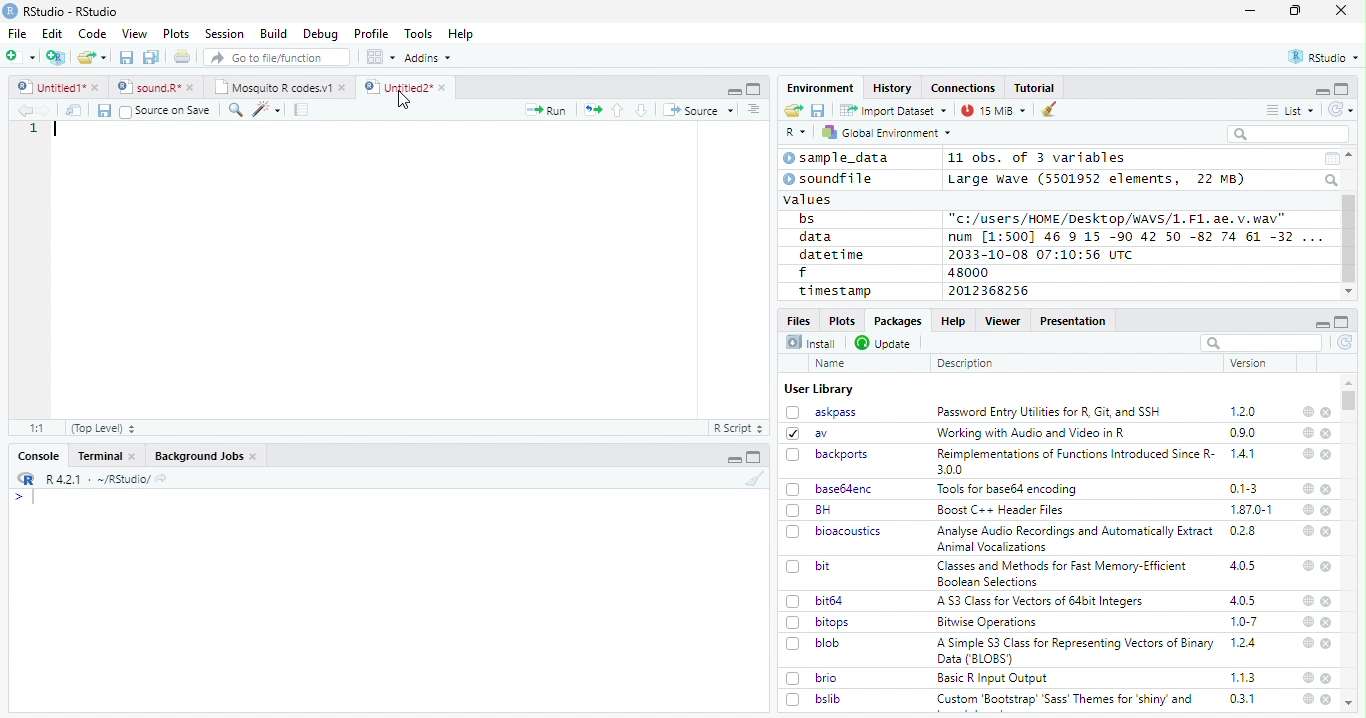  Describe the element at coordinates (1307, 411) in the screenshot. I see `help` at that location.